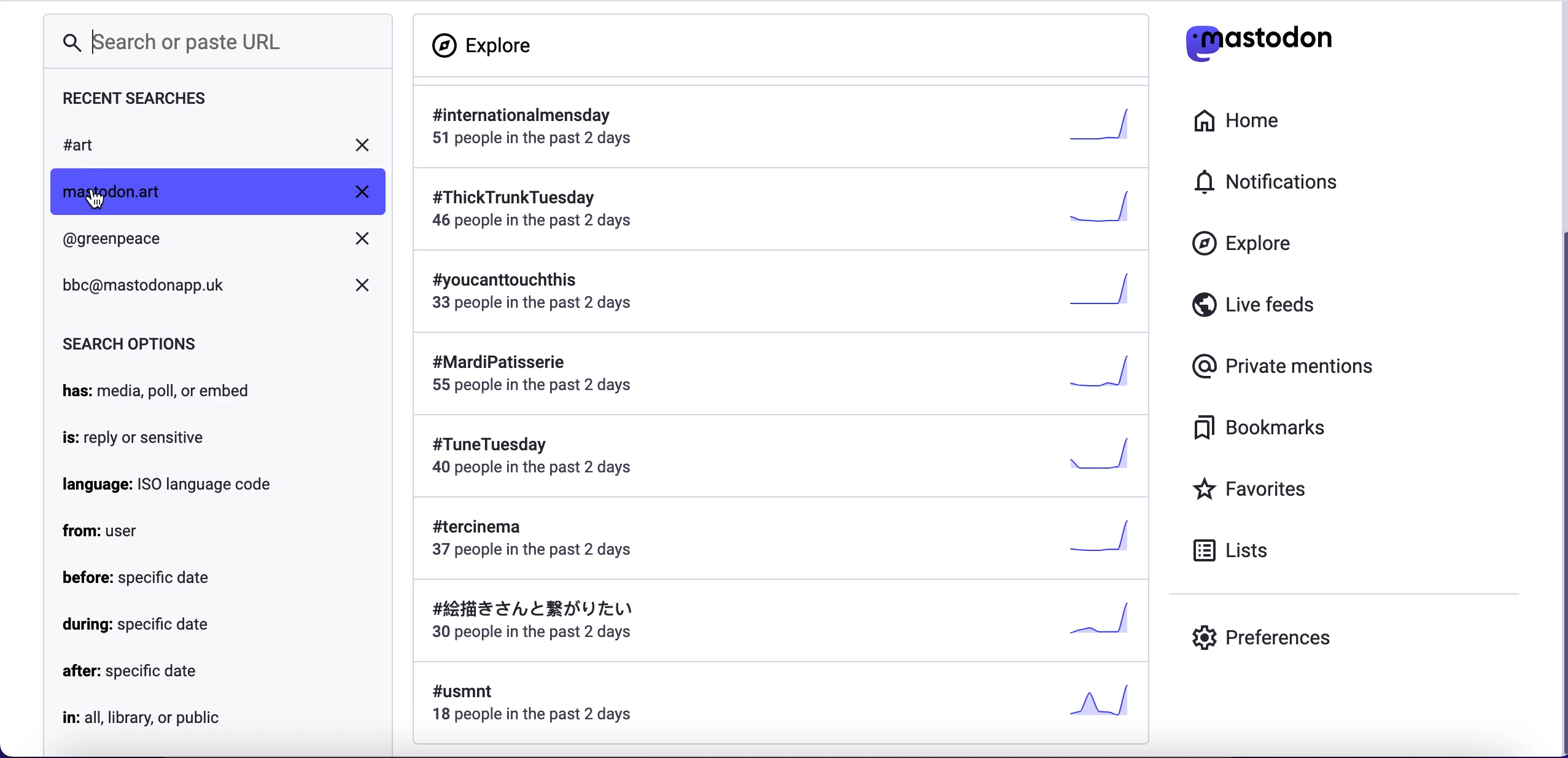 The width and height of the screenshot is (1568, 758). What do you see at coordinates (1240, 123) in the screenshot?
I see `home` at bounding box center [1240, 123].